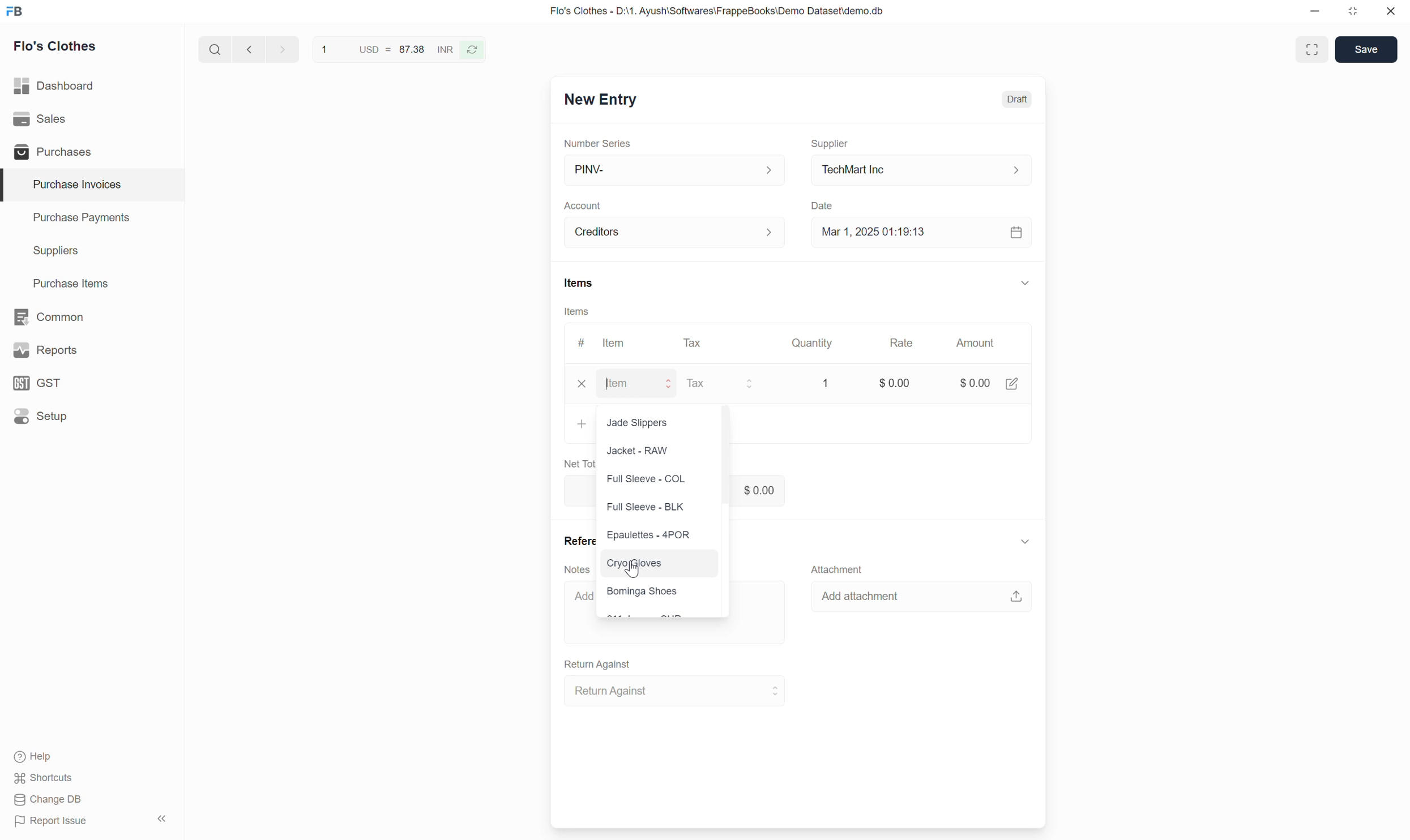 The width and height of the screenshot is (1410, 840). I want to click on restore down, so click(1351, 14).